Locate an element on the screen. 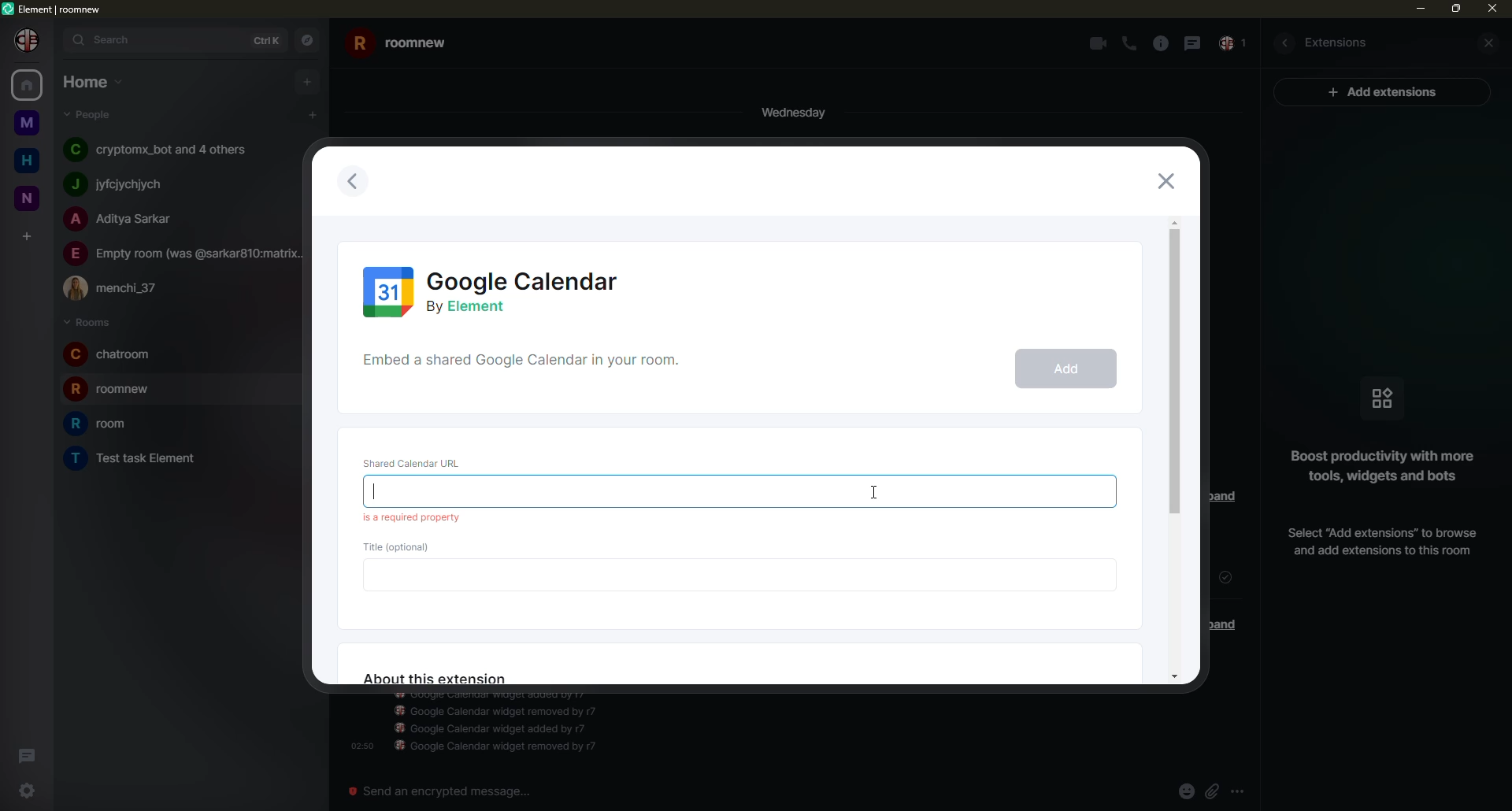 The image size is (1512, 811). extesions is located at coordinates (1339, 43).